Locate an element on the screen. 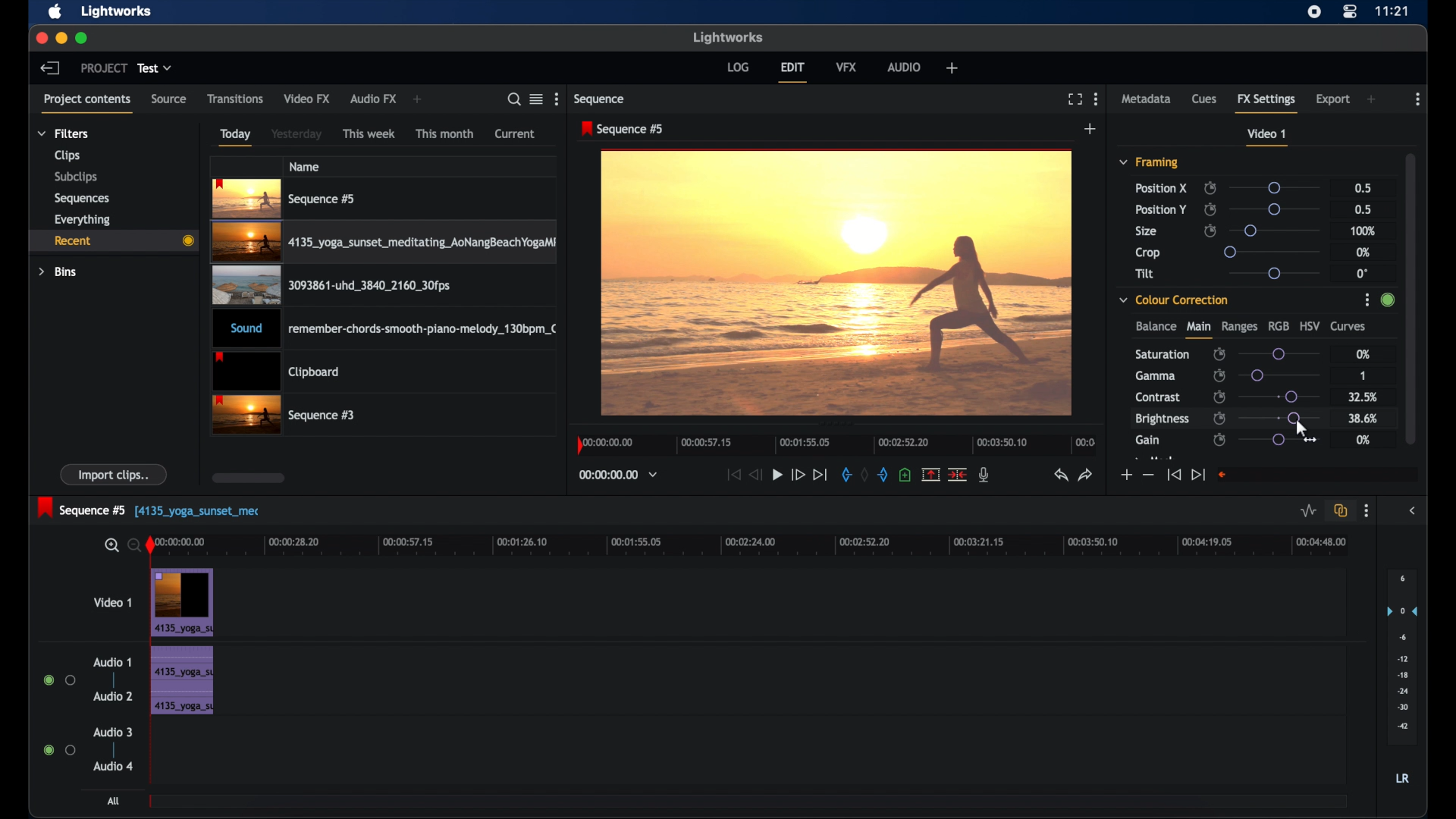 The image size is (1456, 819). audio clip is located at coordinates (387, 330).